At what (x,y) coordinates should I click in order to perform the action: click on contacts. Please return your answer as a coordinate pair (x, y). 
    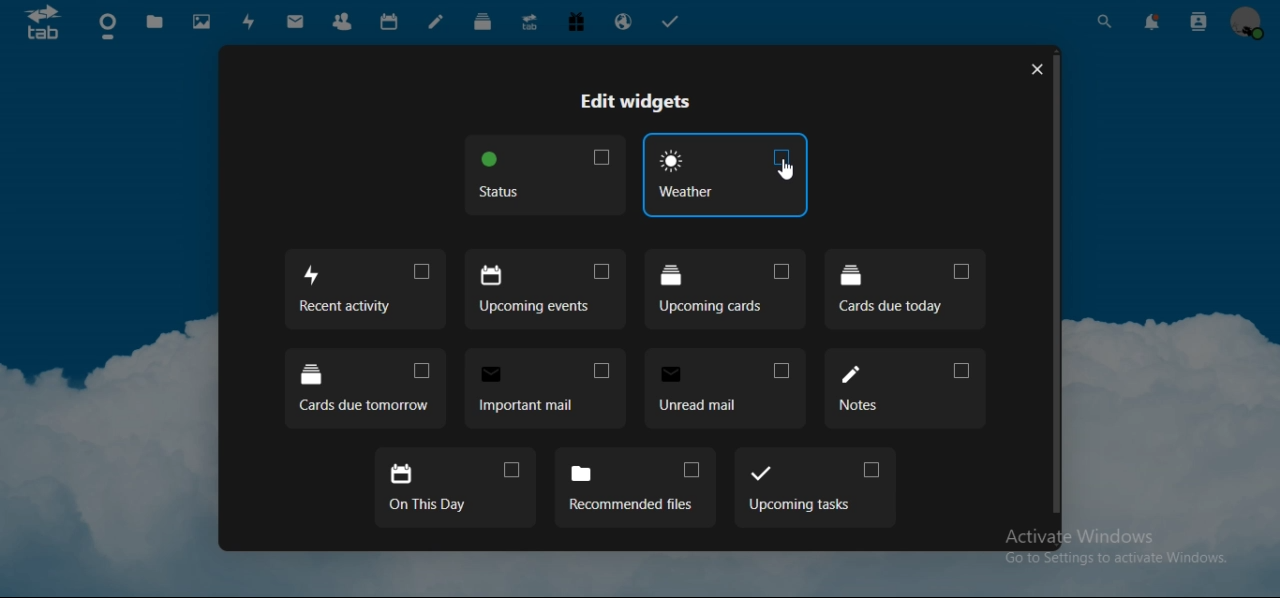
    Looking at the image, I should click on (342, 21).